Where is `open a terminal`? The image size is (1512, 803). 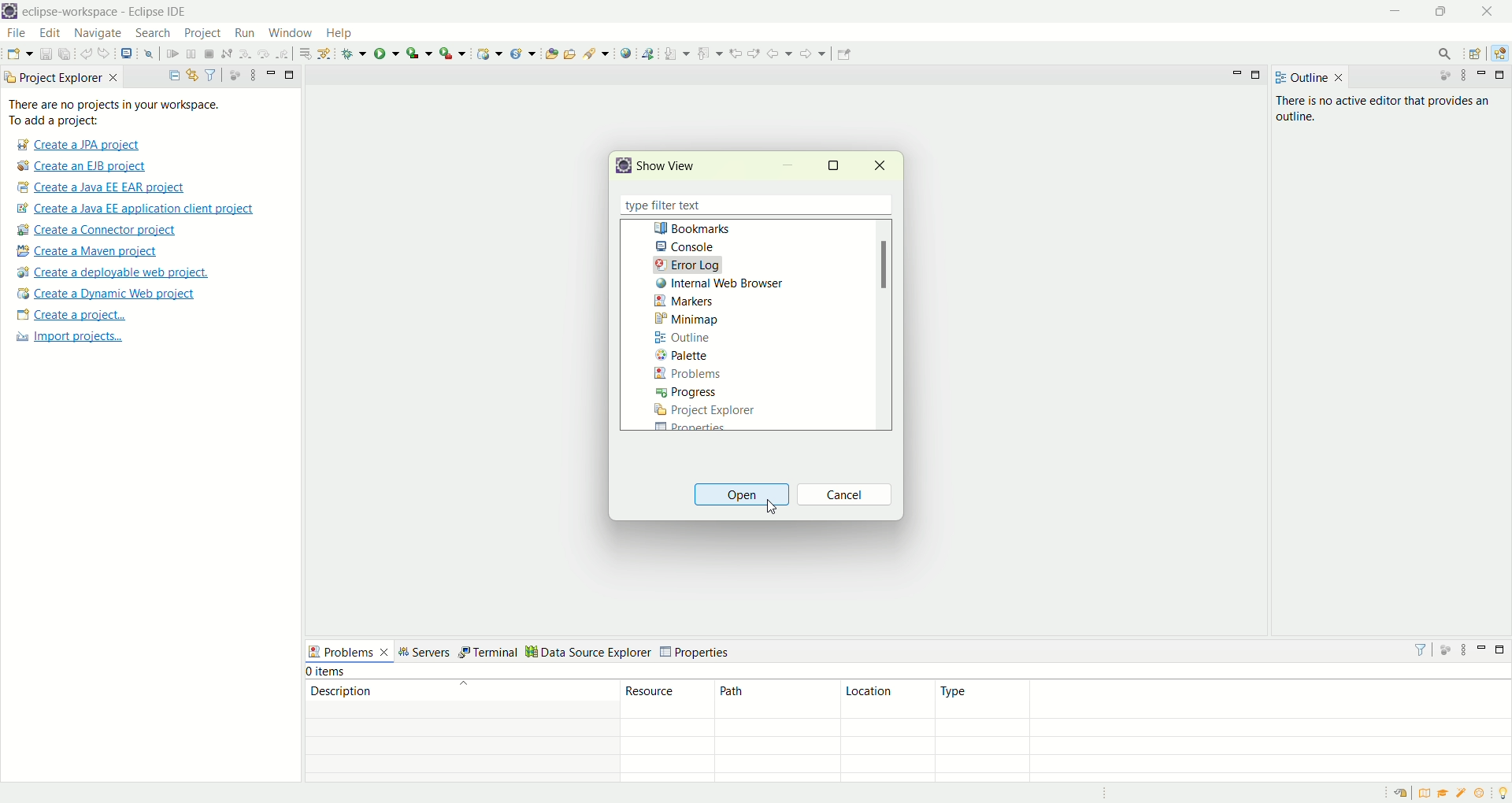 open a terminal is located at coordinates (126, 54).